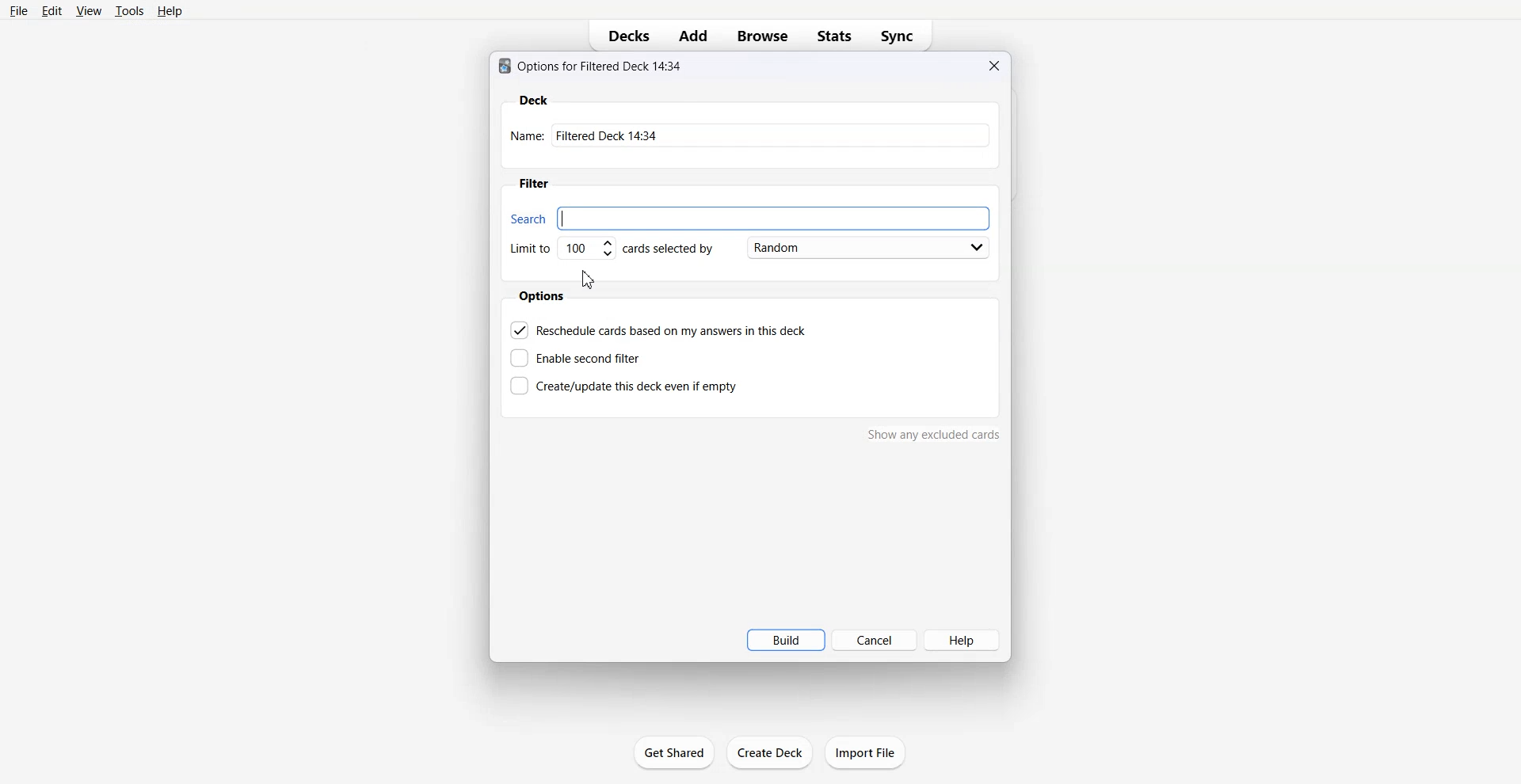 This screenshot has height=784, width=1521. Describe the element at coordinates (863, 249) in the screenshot. I see `Random` at that location.